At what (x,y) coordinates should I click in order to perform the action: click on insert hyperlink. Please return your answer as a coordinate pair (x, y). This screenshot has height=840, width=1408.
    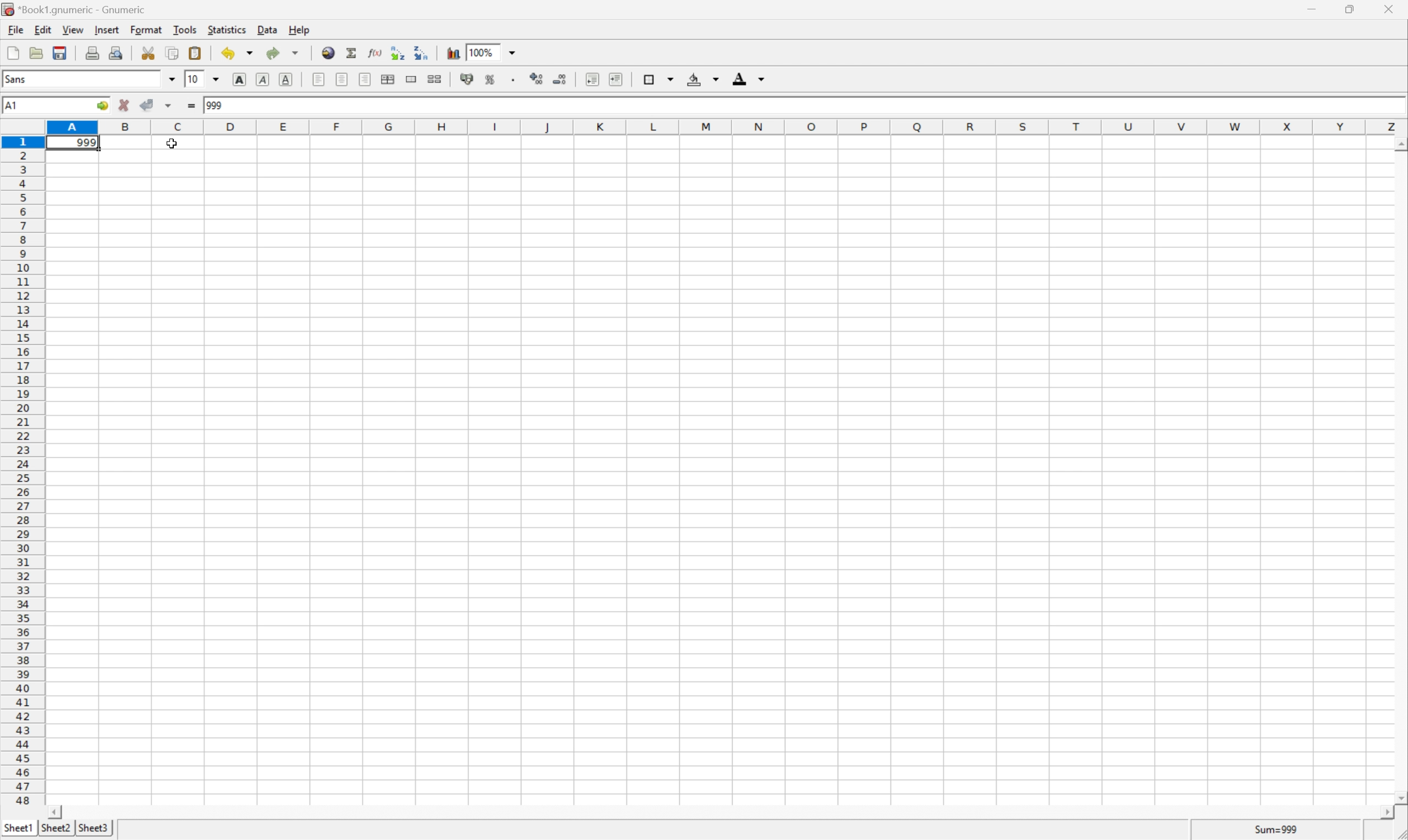
    Looking at the image, I should click on (327, 53).